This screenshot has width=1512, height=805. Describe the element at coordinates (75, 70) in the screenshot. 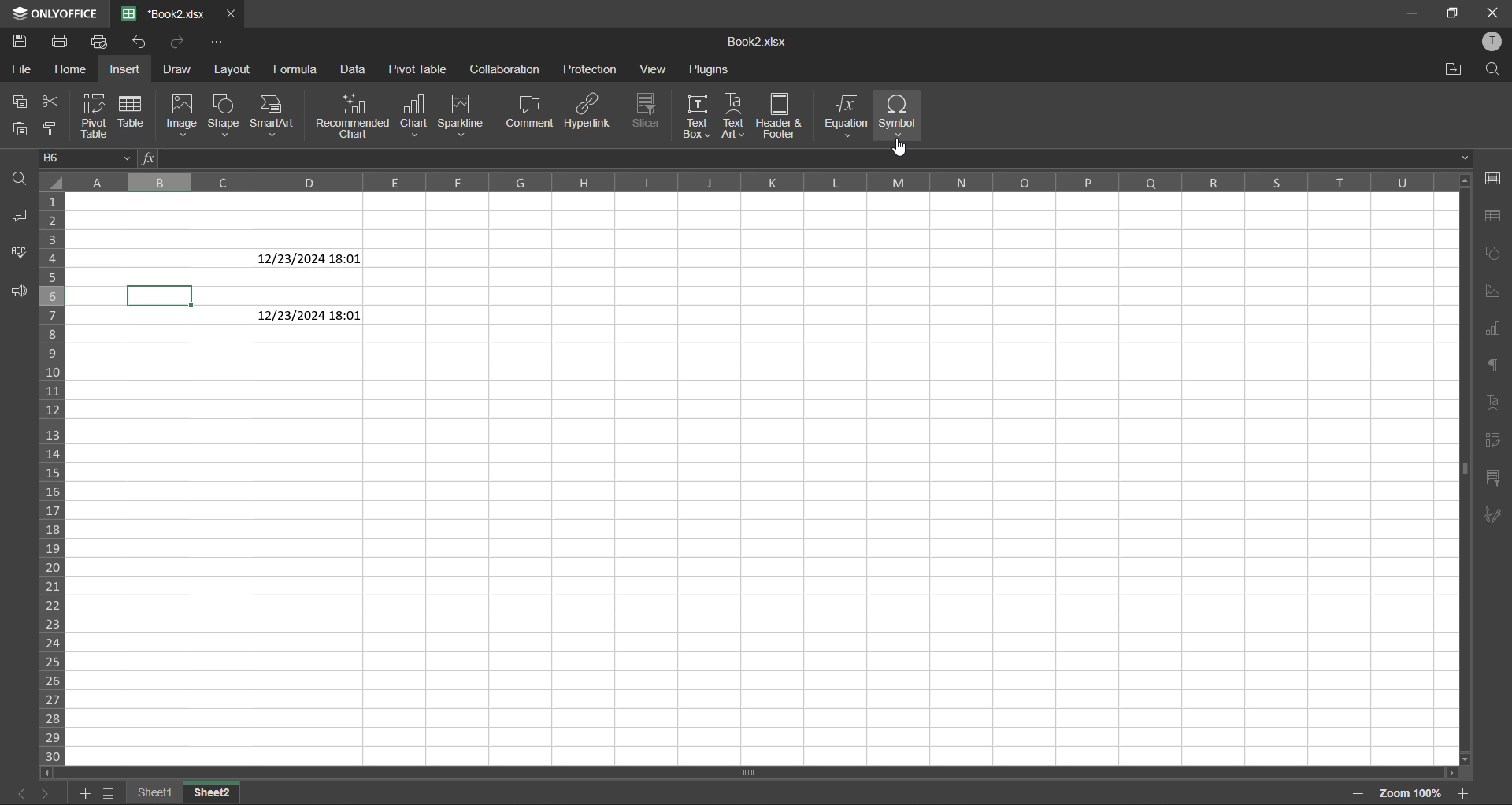

I see `home` at that location.